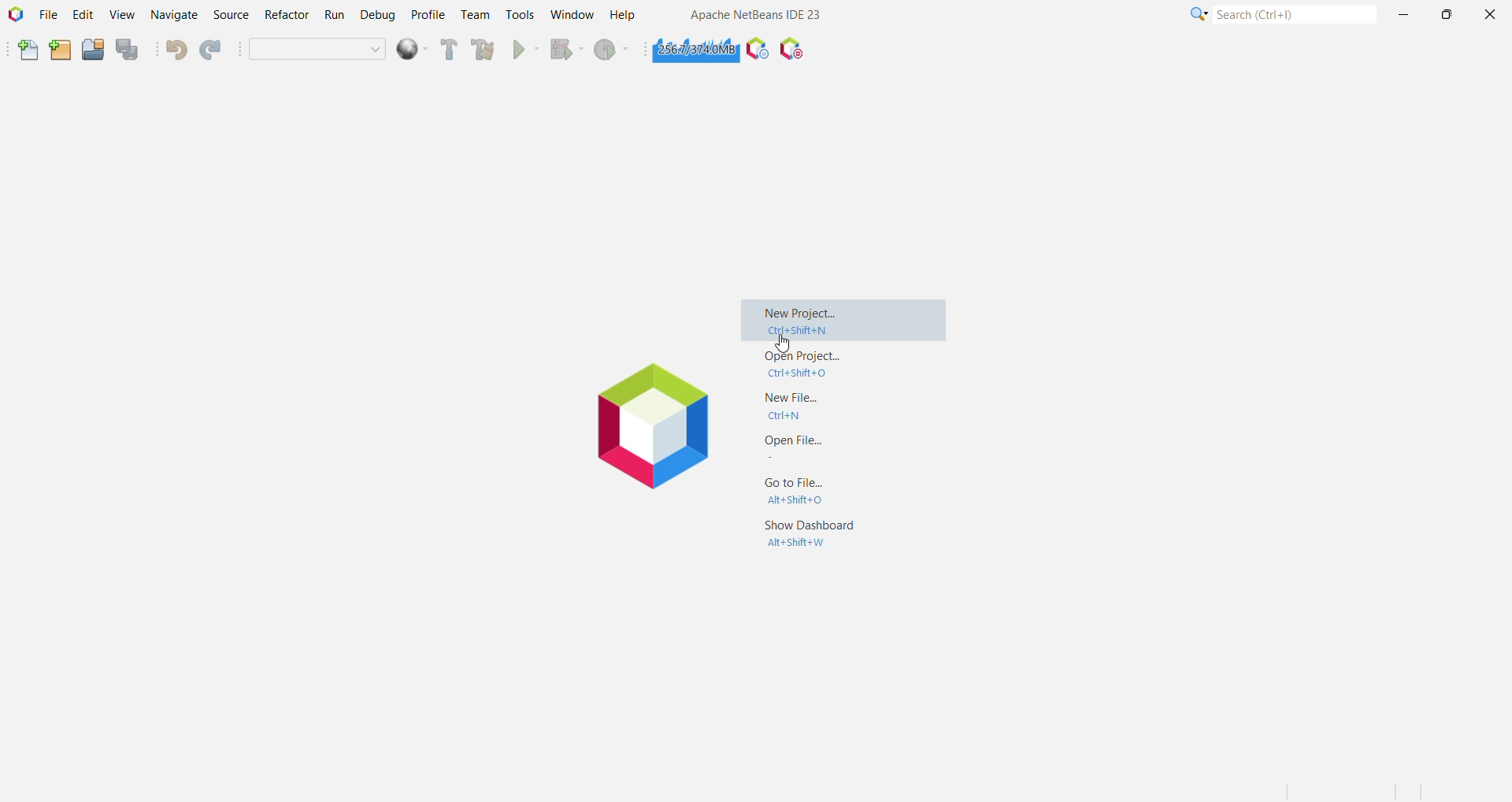 The width and height of the screenshot is (1512, 802). I want to click on Open File, so click(847, 444).